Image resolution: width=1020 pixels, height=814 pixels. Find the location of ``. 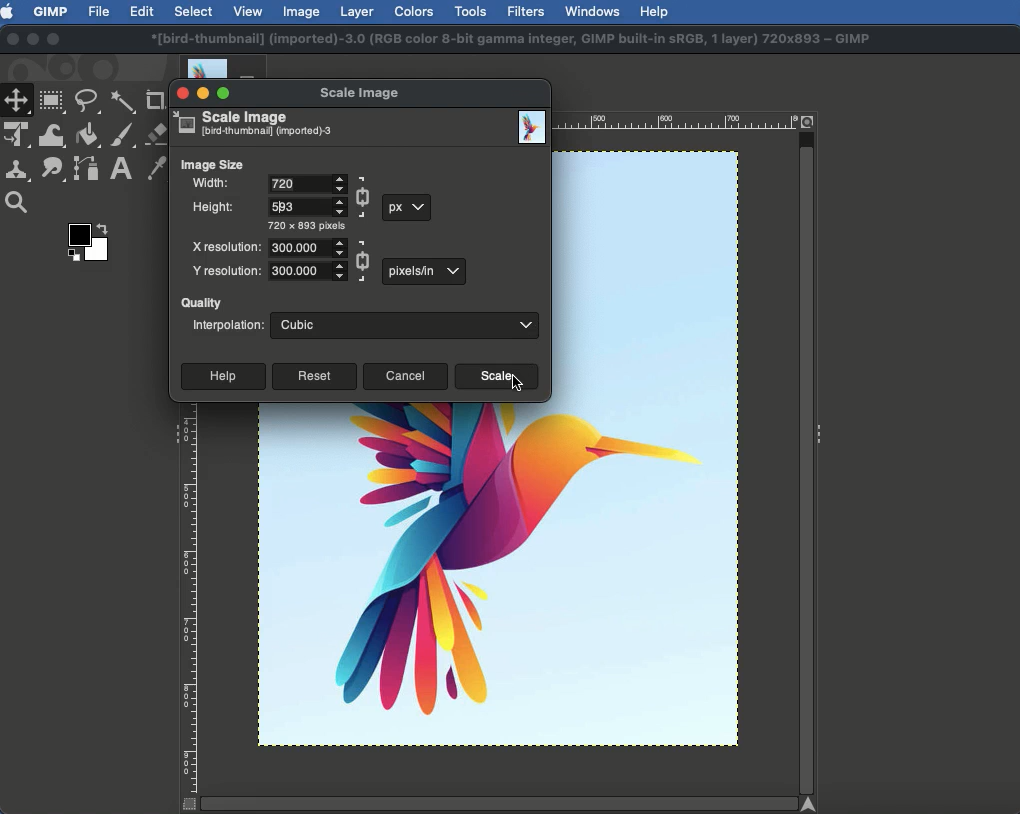

 is located at coordinates (306, 184).